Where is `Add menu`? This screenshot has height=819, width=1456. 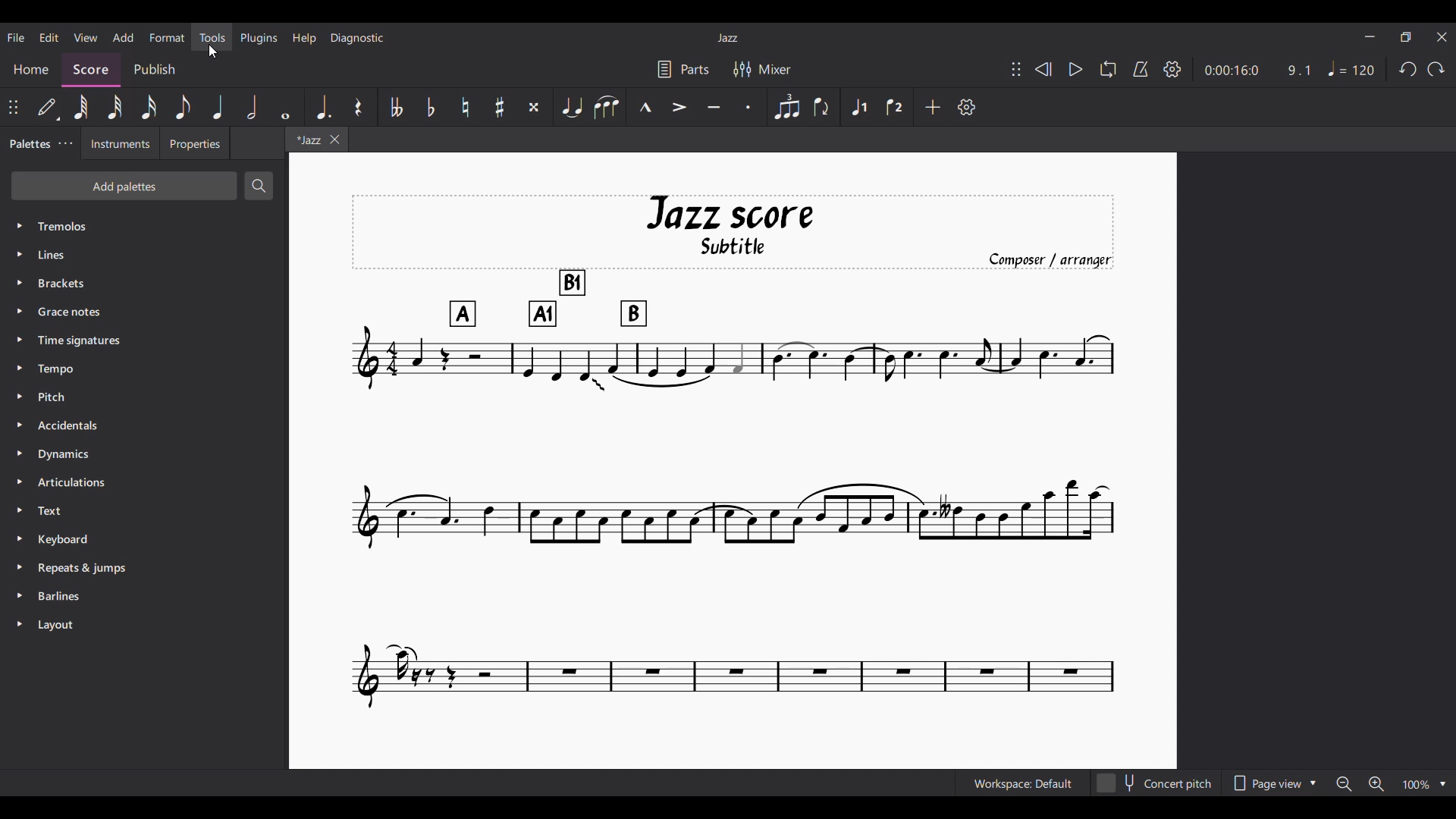 Add menu is located at coordinates (123, 37).